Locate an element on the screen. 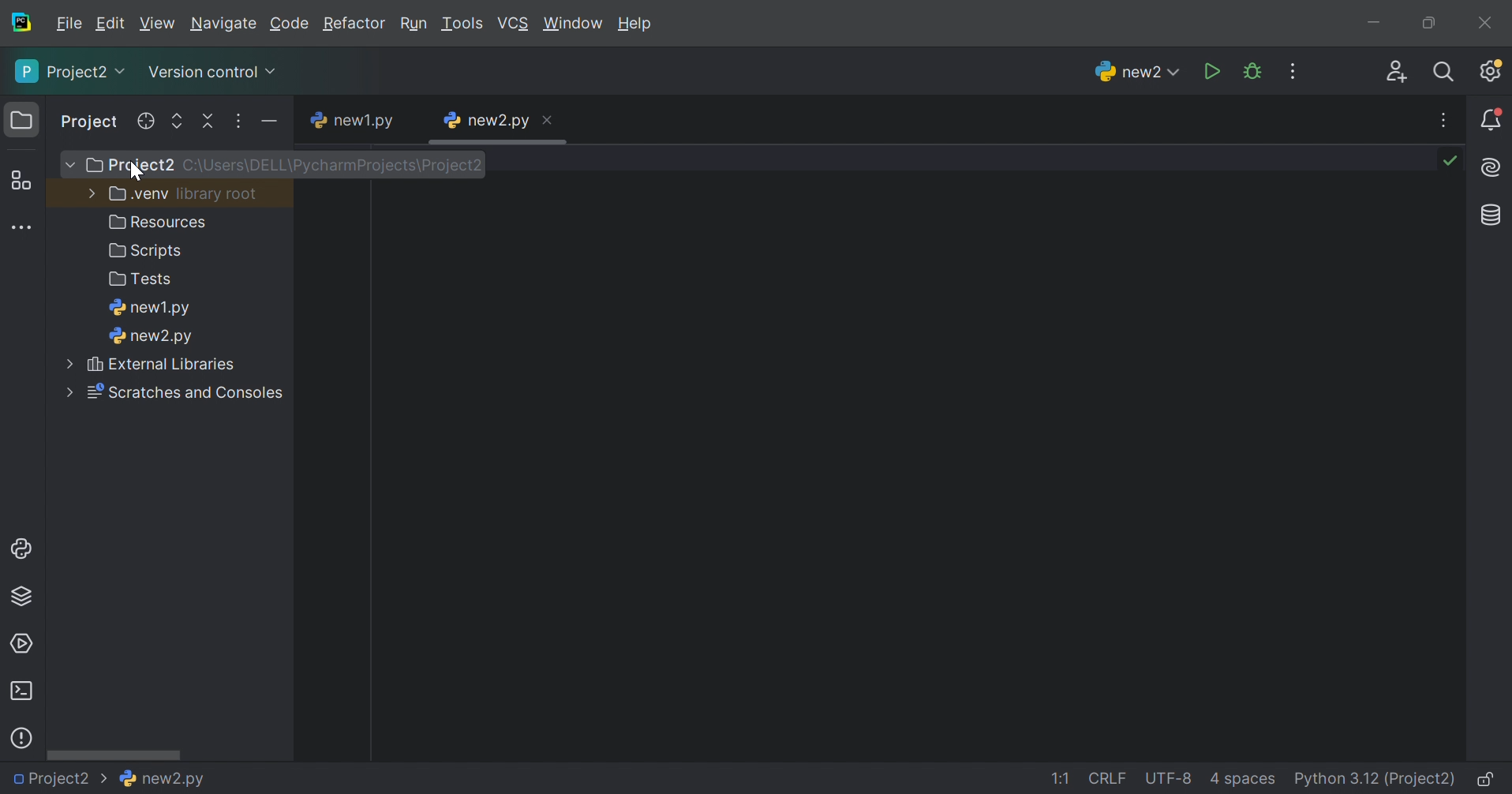 Image resolution: width=1512 pixels, height=794 pixels. No problems is located at coordinates (1454, 160).